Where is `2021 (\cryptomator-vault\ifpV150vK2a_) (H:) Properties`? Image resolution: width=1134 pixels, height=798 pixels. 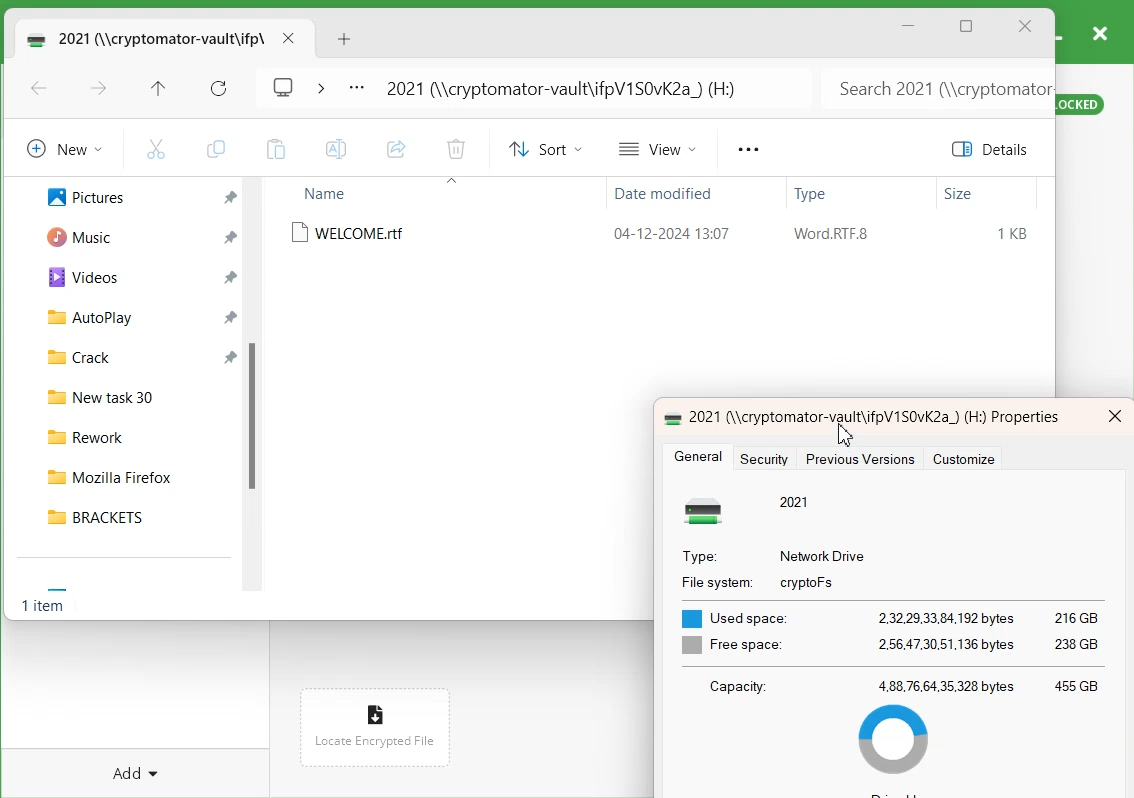
2021 (\cryptomator-vault\ifpV150vK2a_) (H:) Properties is located at coordinates (874, 417).